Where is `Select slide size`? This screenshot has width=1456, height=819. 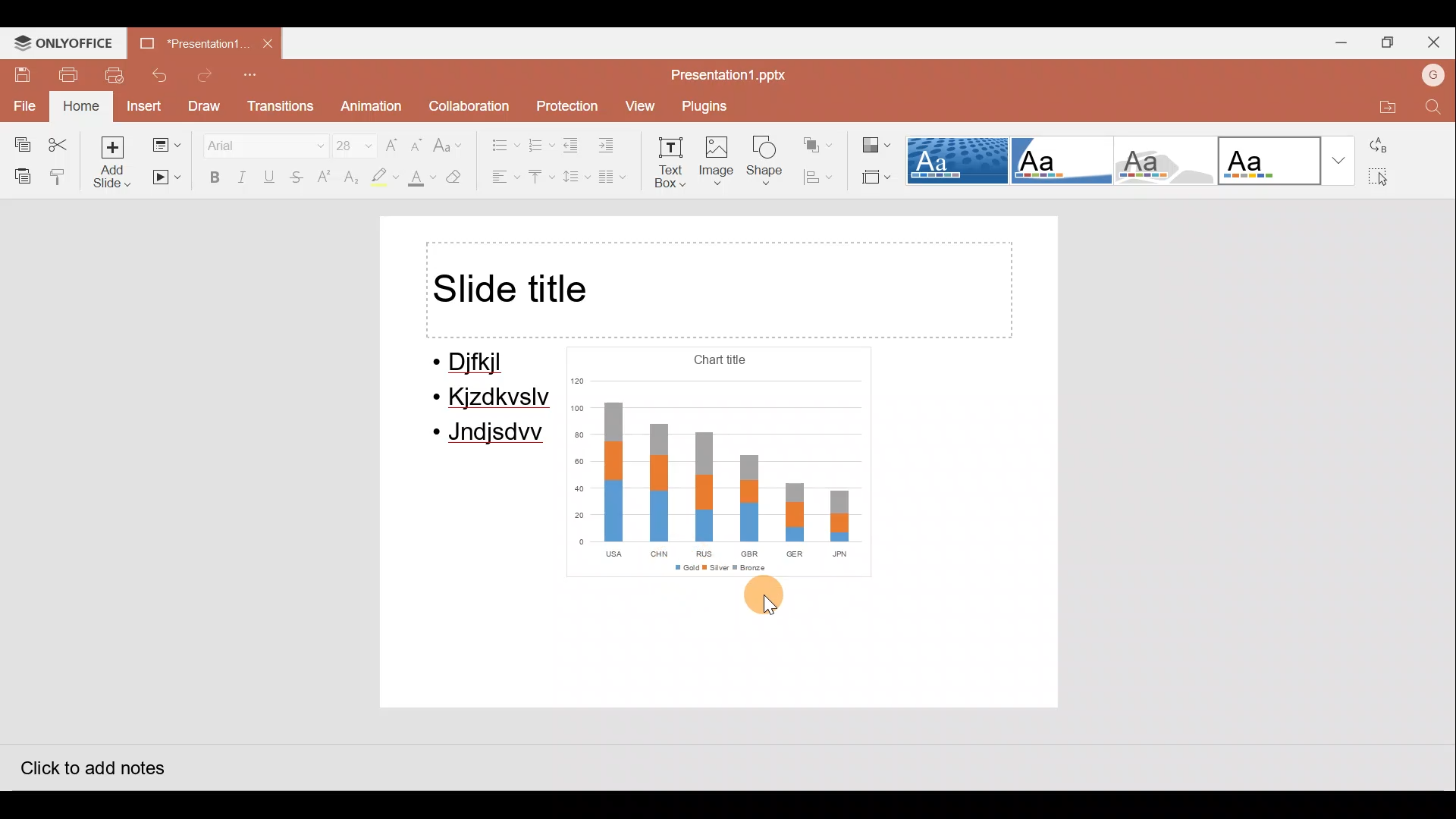 Select slide size is located at coordinates (874, 178).